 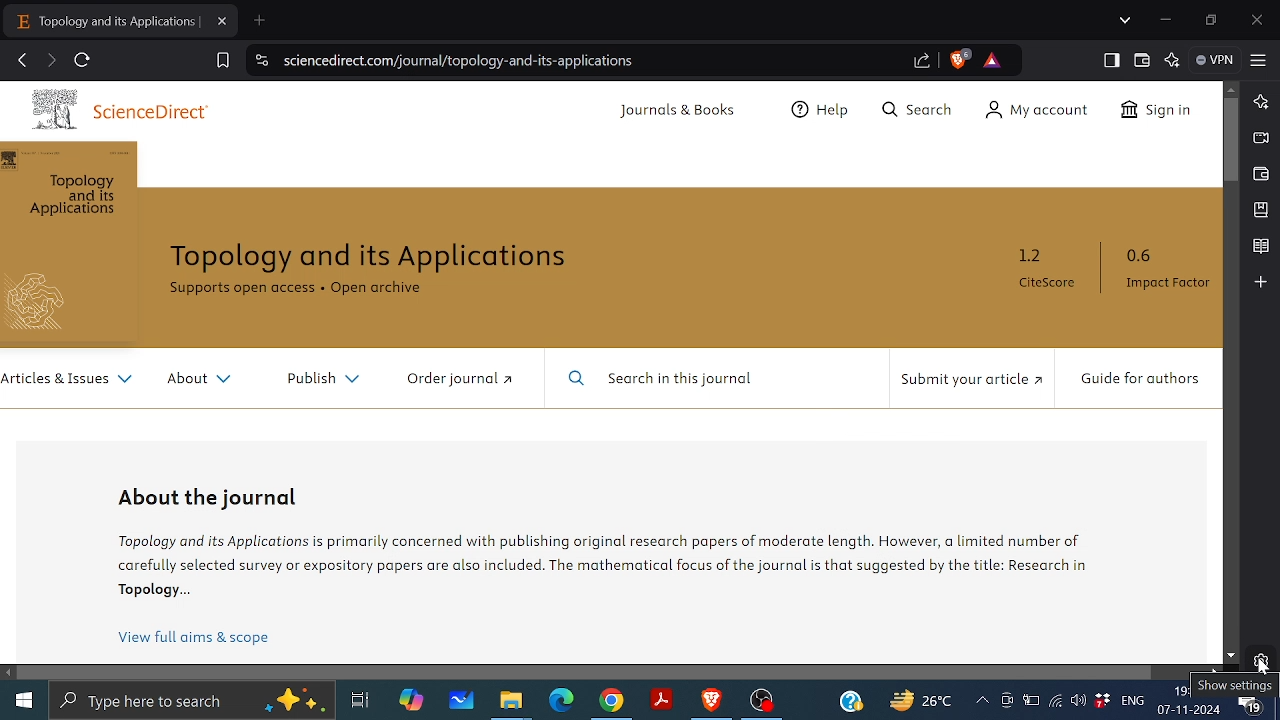 What do you see at coordinates (192, 700) in the screenshot?
I see `Type or search for apps` at bounding box center [192, 700].